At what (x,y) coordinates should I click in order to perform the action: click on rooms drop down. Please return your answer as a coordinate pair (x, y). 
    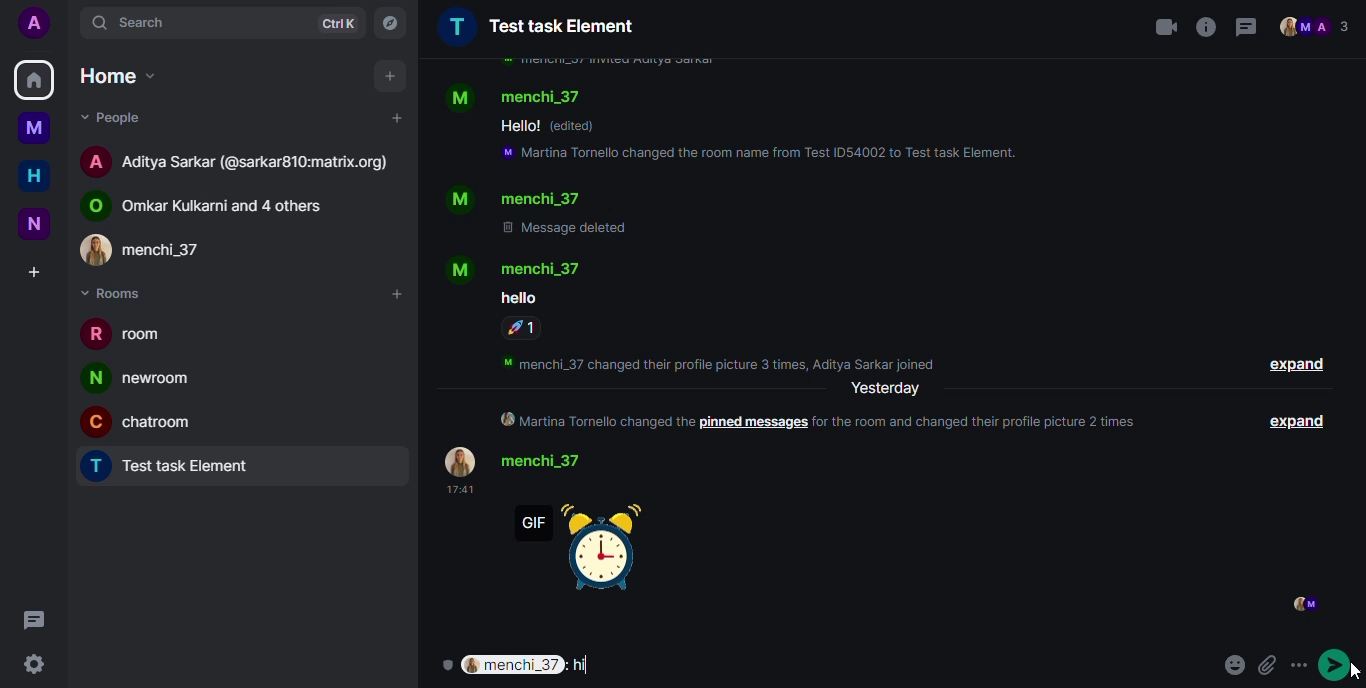
    Looking at the image, I should click on (119, 293).